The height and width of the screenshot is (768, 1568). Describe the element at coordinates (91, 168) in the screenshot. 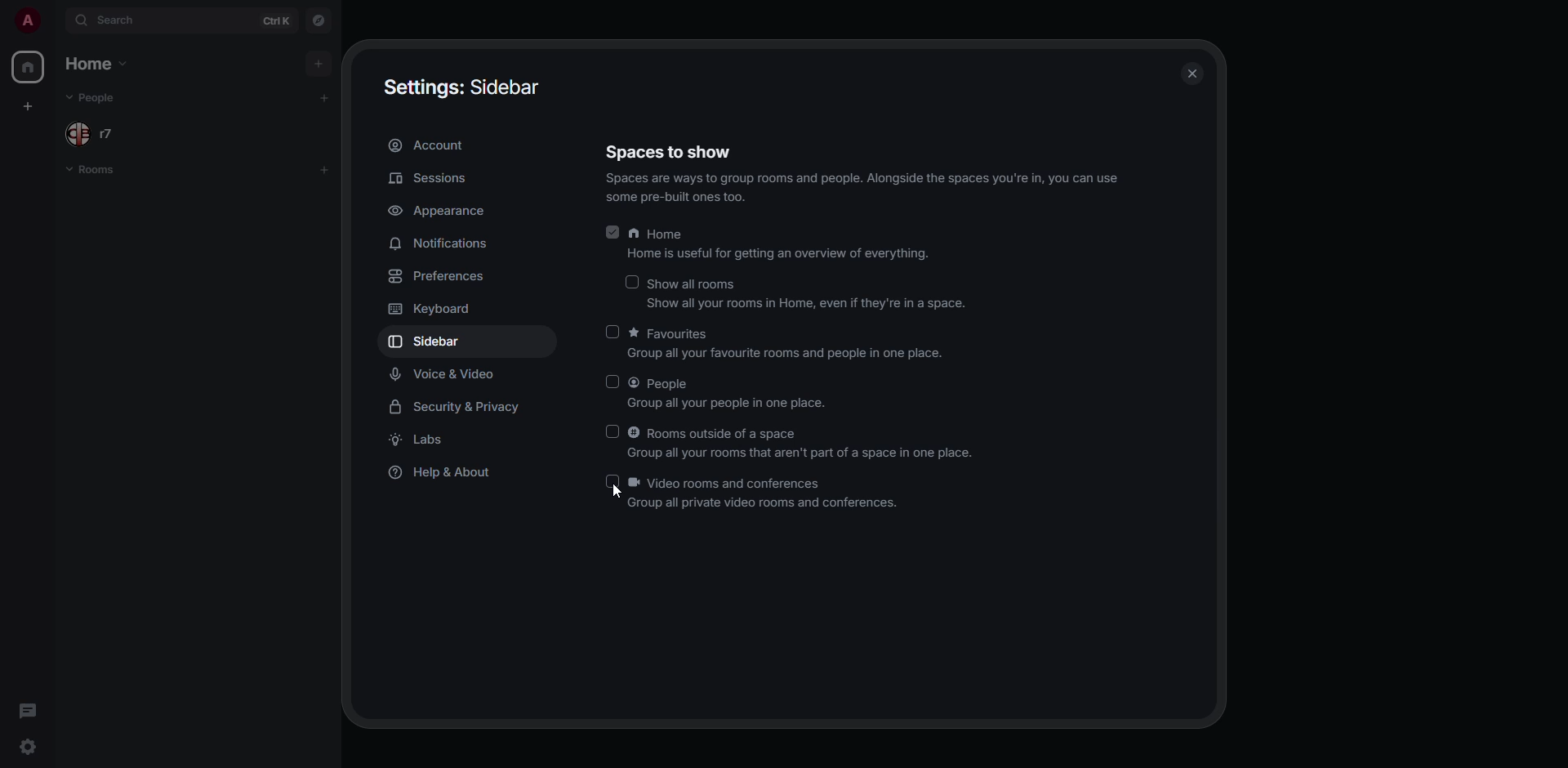

I see `room` at that location.